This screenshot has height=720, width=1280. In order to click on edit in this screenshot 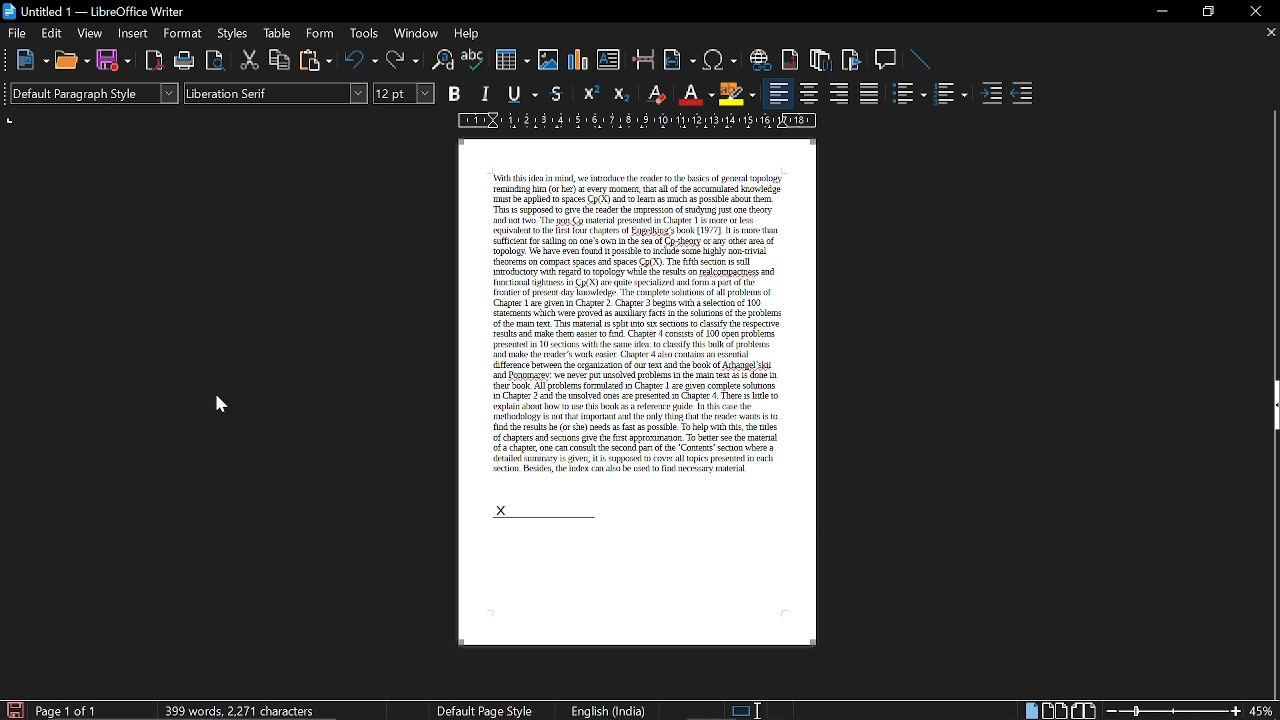, I will do `click(51, 33)`.